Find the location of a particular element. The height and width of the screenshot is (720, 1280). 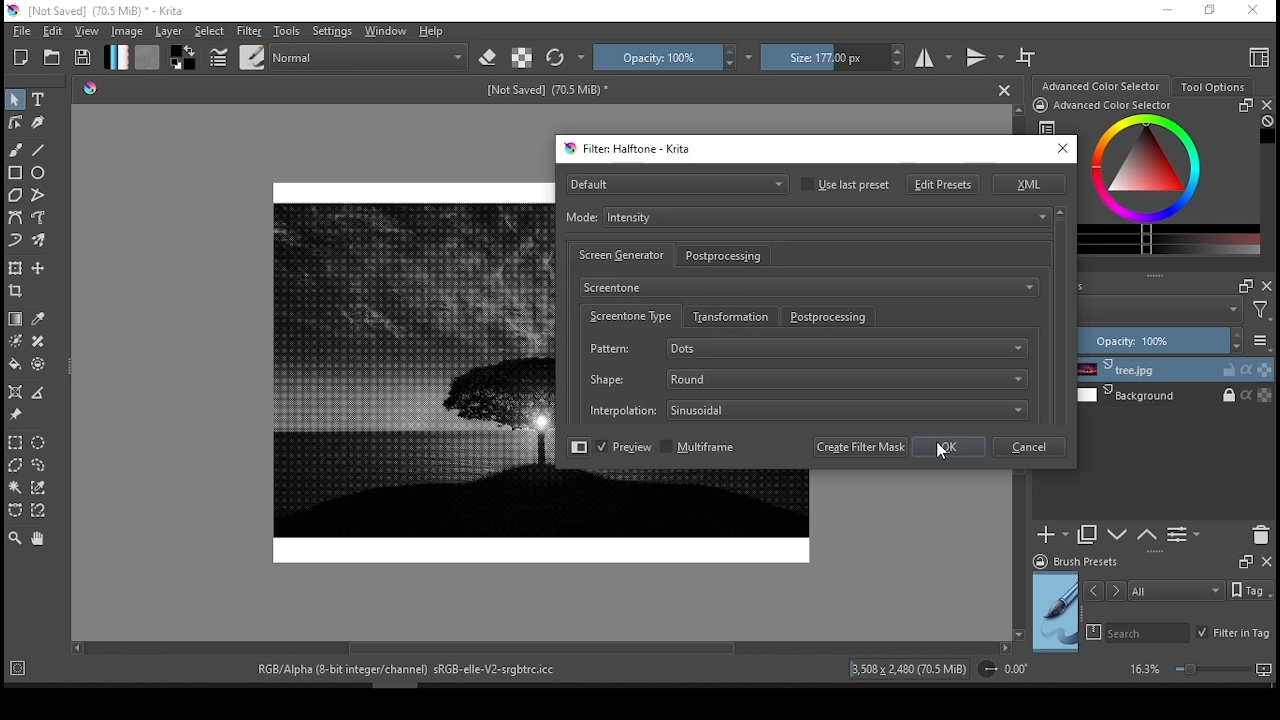

ok is located at coordinates (949, 447).